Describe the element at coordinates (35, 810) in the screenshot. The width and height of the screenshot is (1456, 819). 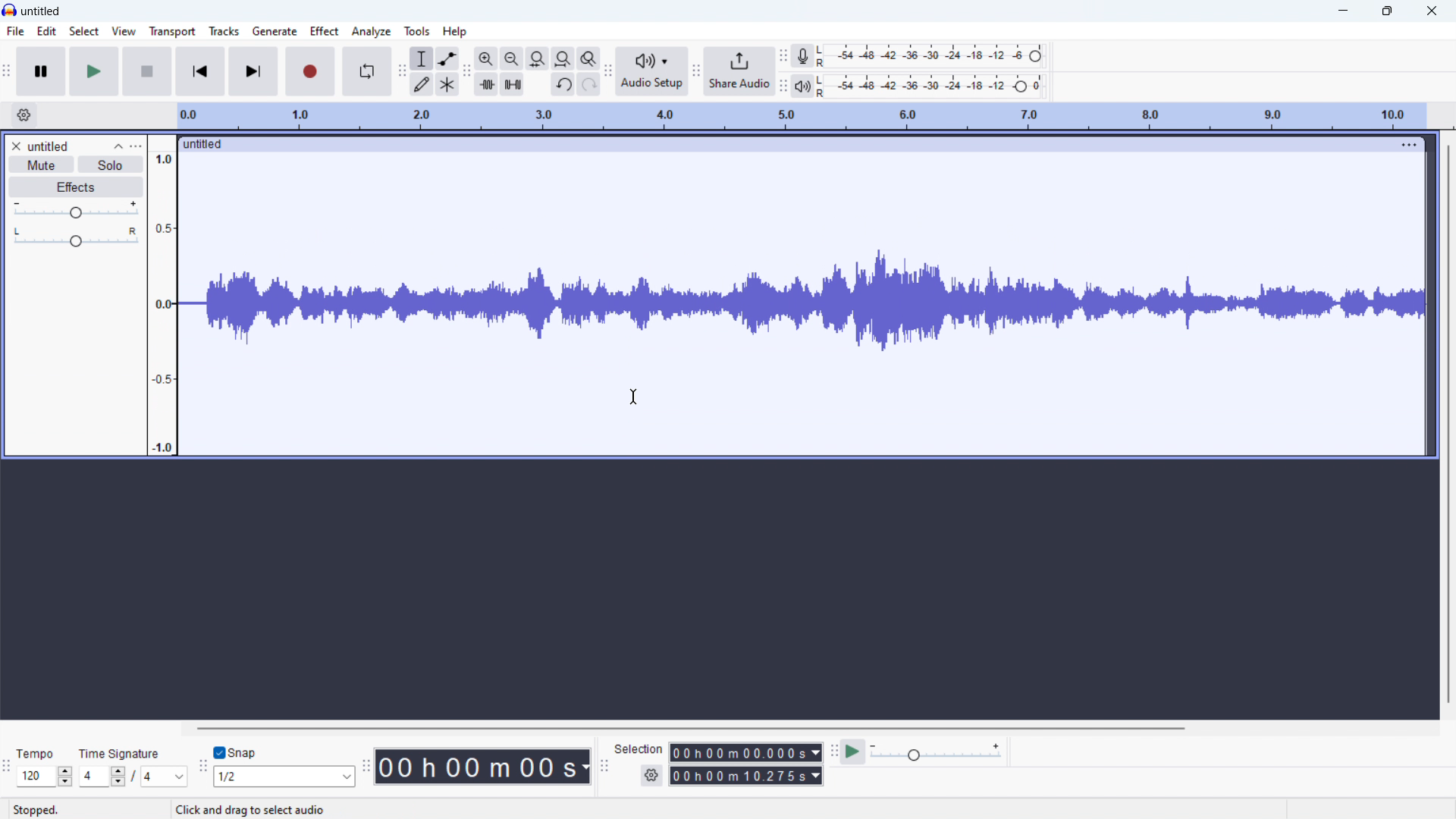
I see `Stopped` at that location.